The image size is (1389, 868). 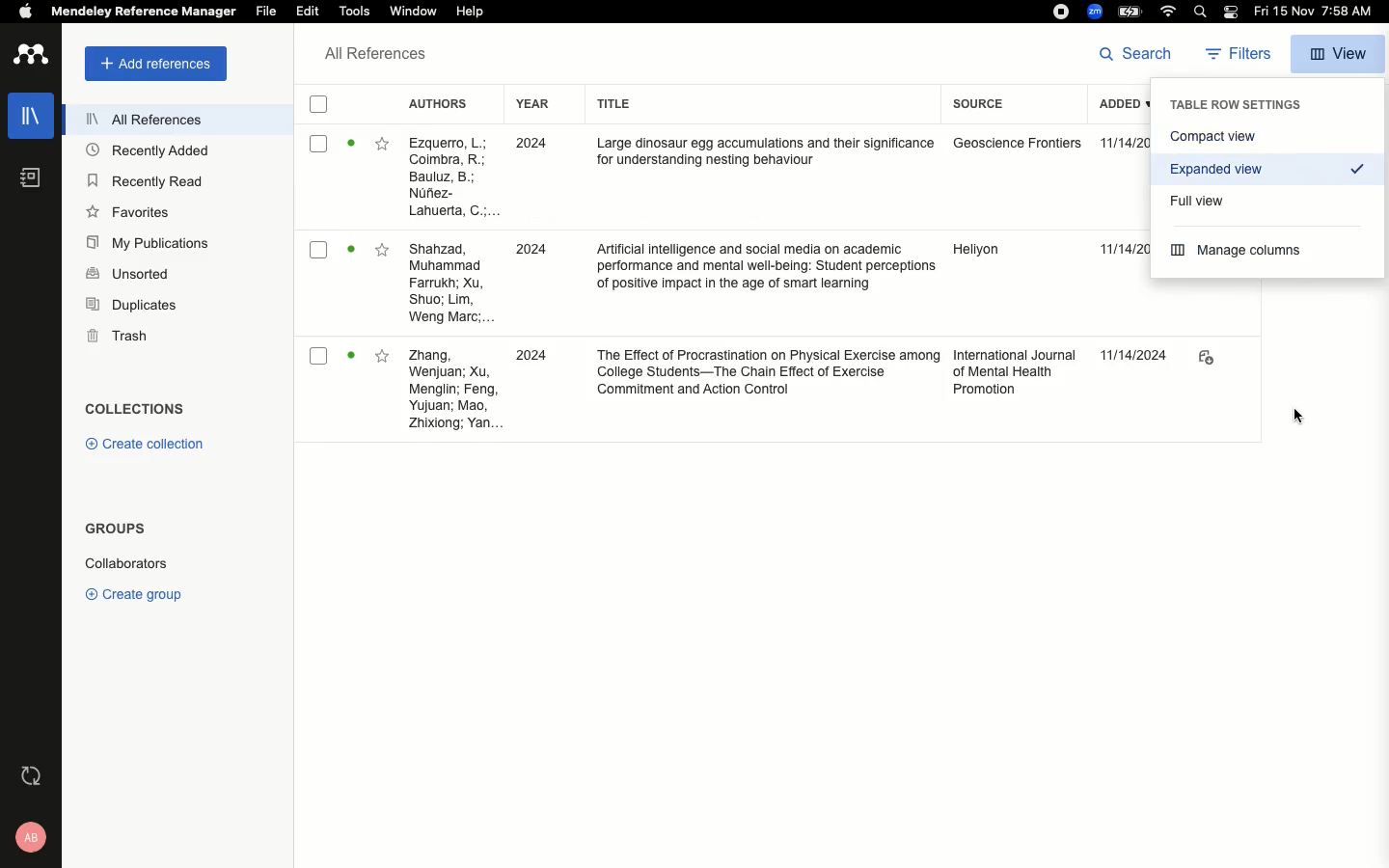 I want to click on Groups, so click(x=112, y=532).